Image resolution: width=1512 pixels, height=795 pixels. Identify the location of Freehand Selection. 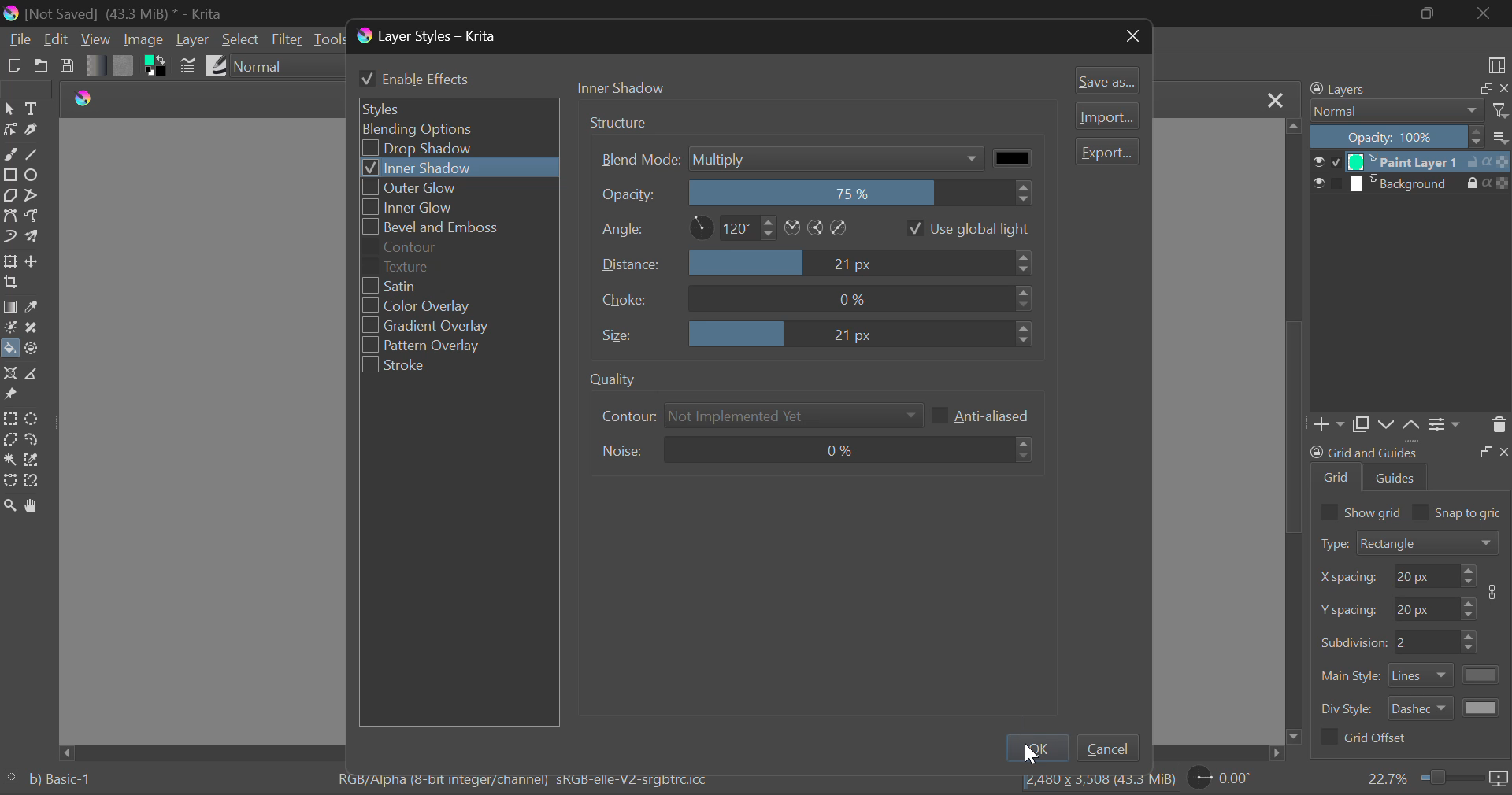
(33, 442).